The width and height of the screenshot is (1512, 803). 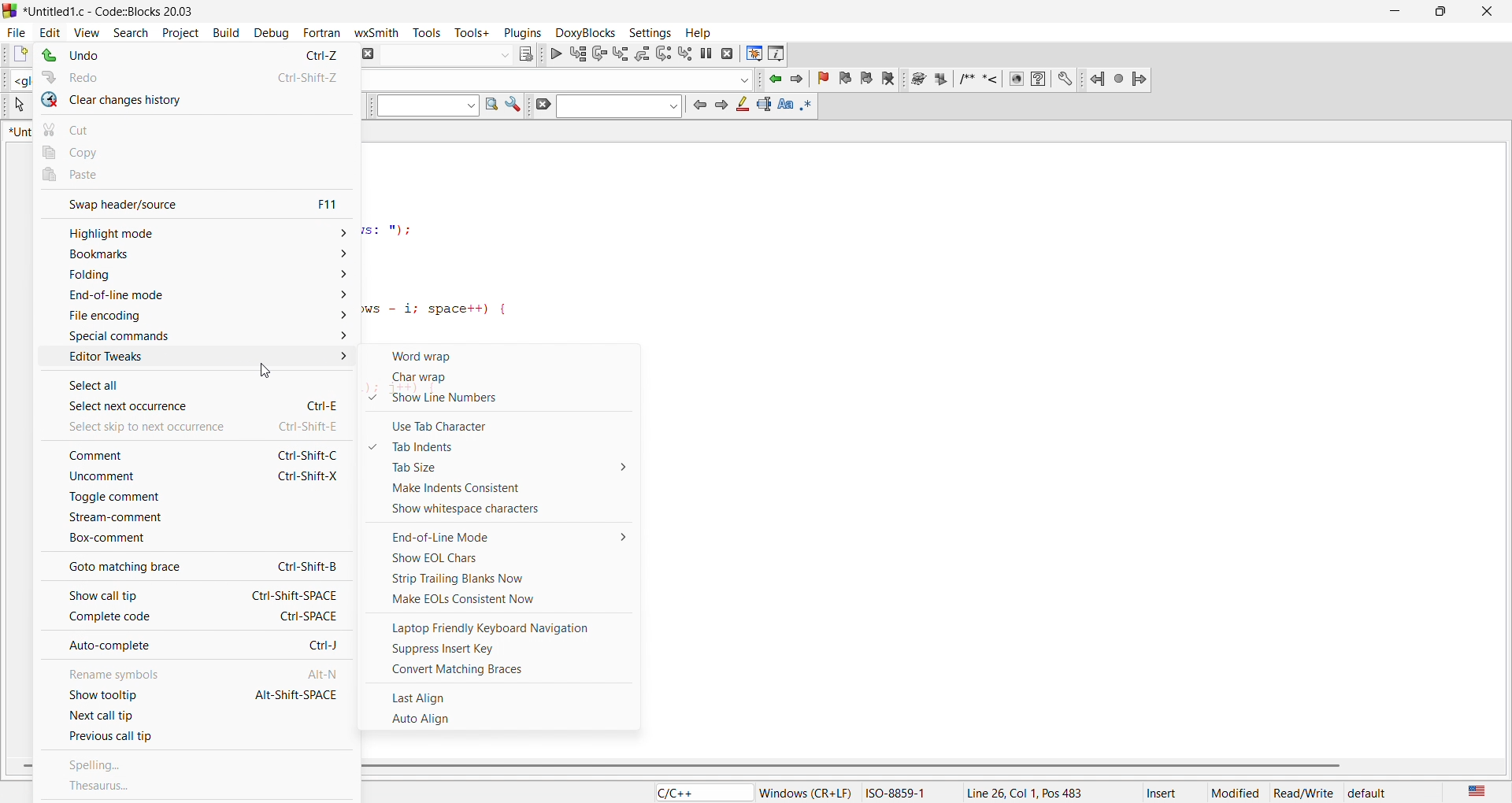 I want to click on next call tip, so click(x=198, y=717).